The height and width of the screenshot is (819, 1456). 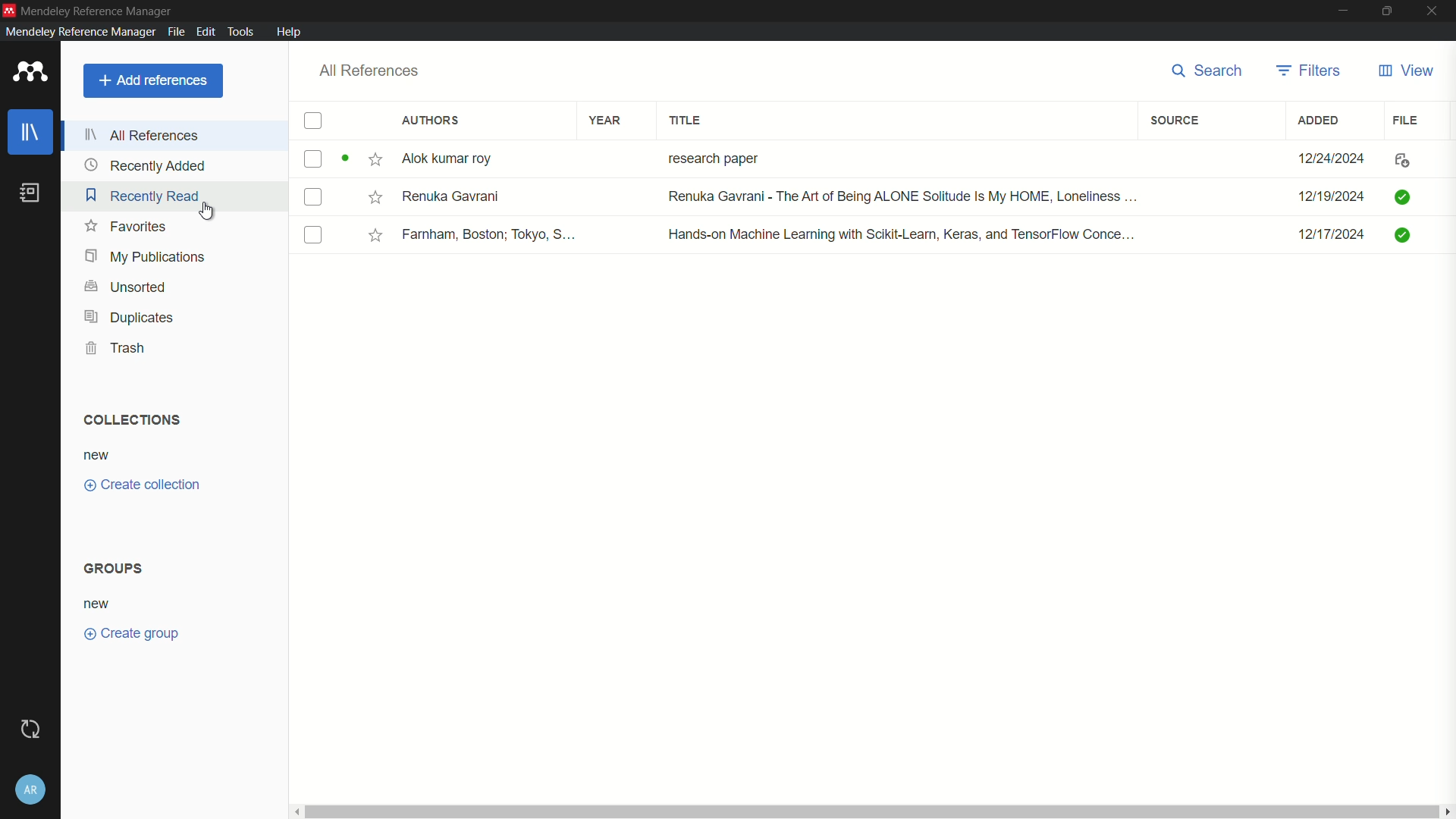 What do you see at coordinates (893, 193) in the screenshot?
I see `The Art of Being ALONE` at bounding box center [893, 193].